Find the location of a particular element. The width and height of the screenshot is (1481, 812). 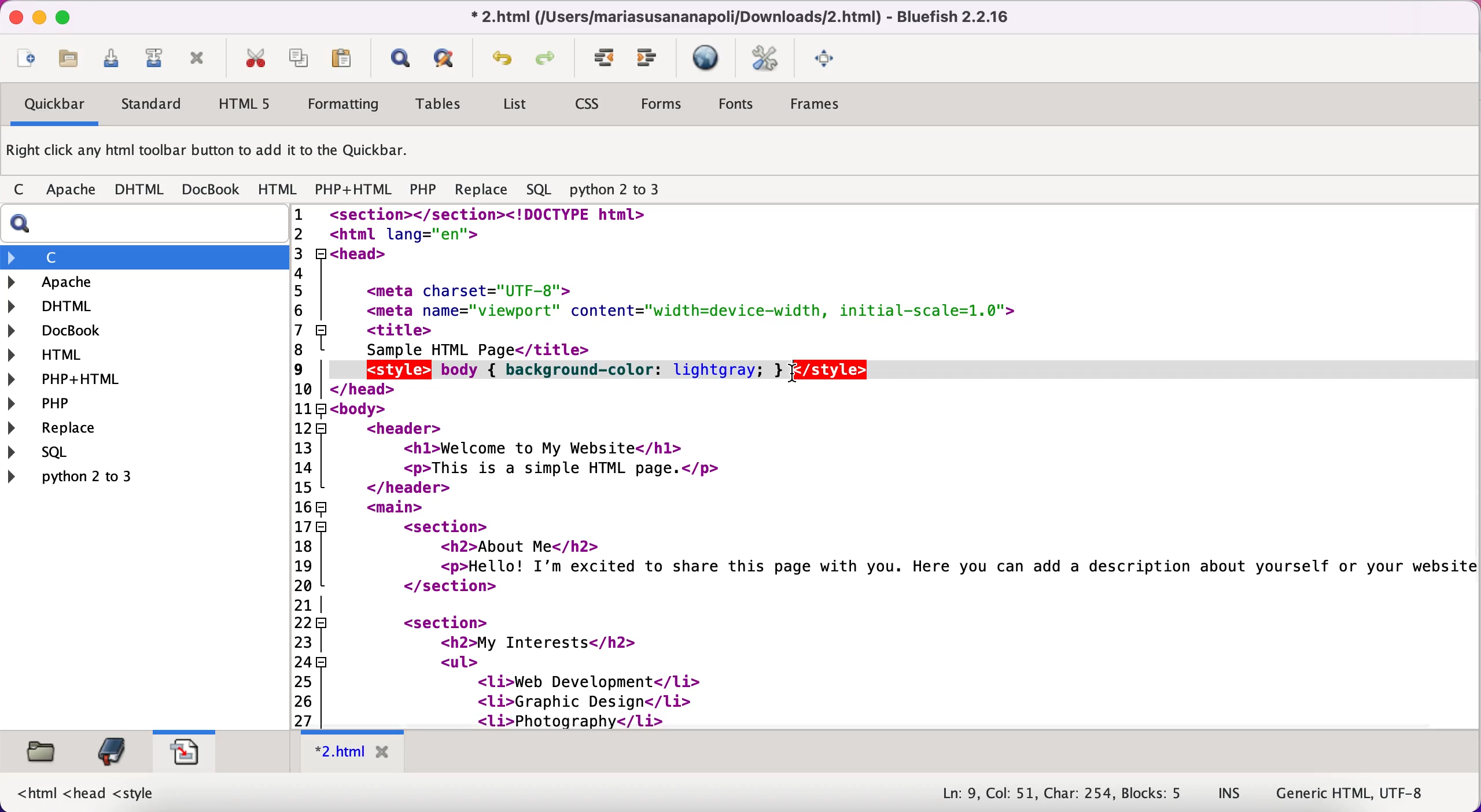

indent is located at coordinates (605, 58).